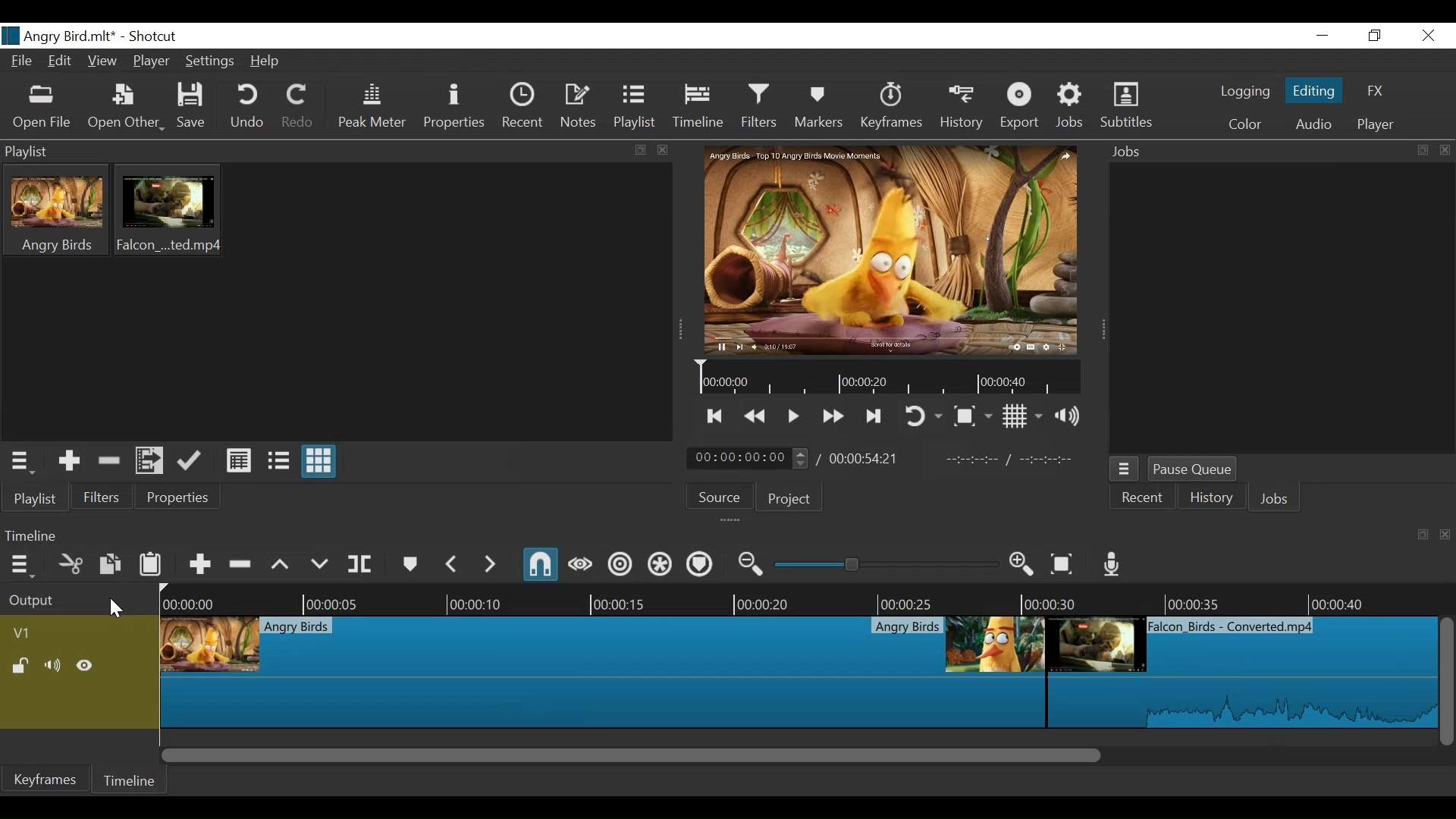 This screenshot has height=819, width=1456. Describe the element at coordinates (1062, 565) in the screenshot. I see `Zoom timeline to fit` at that location.